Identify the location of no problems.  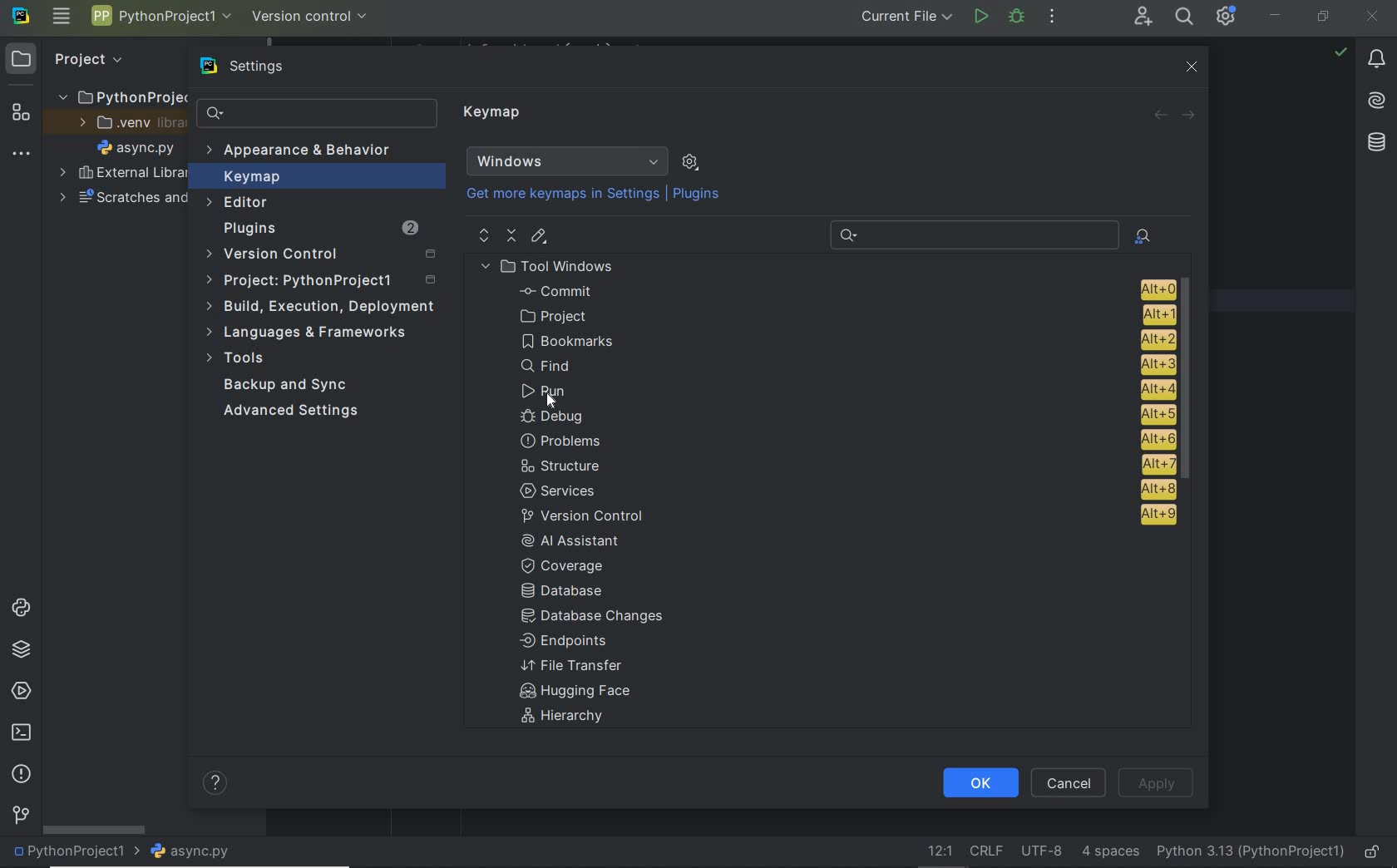
(1340, 52).